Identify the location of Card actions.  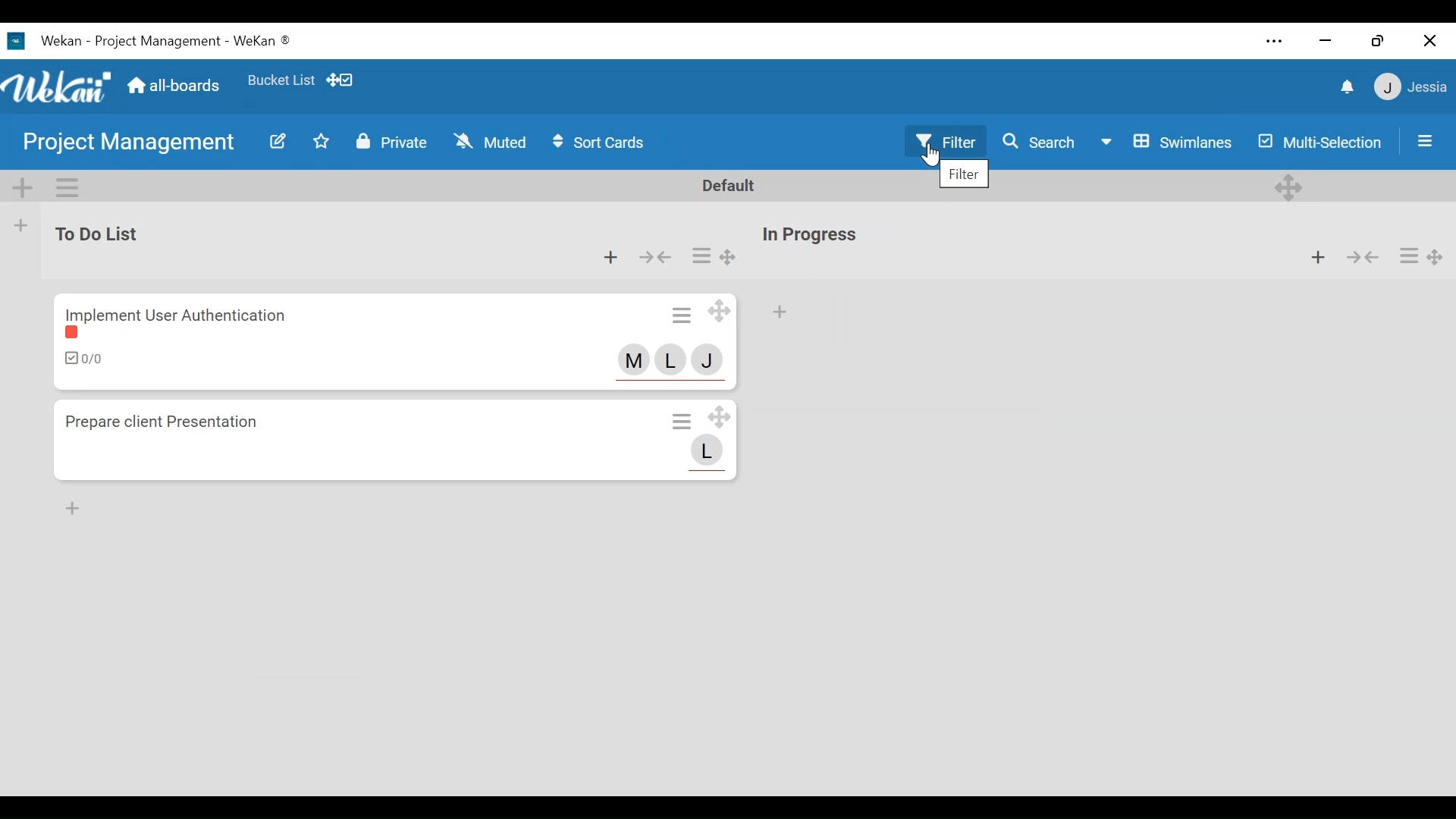
(680, 421).